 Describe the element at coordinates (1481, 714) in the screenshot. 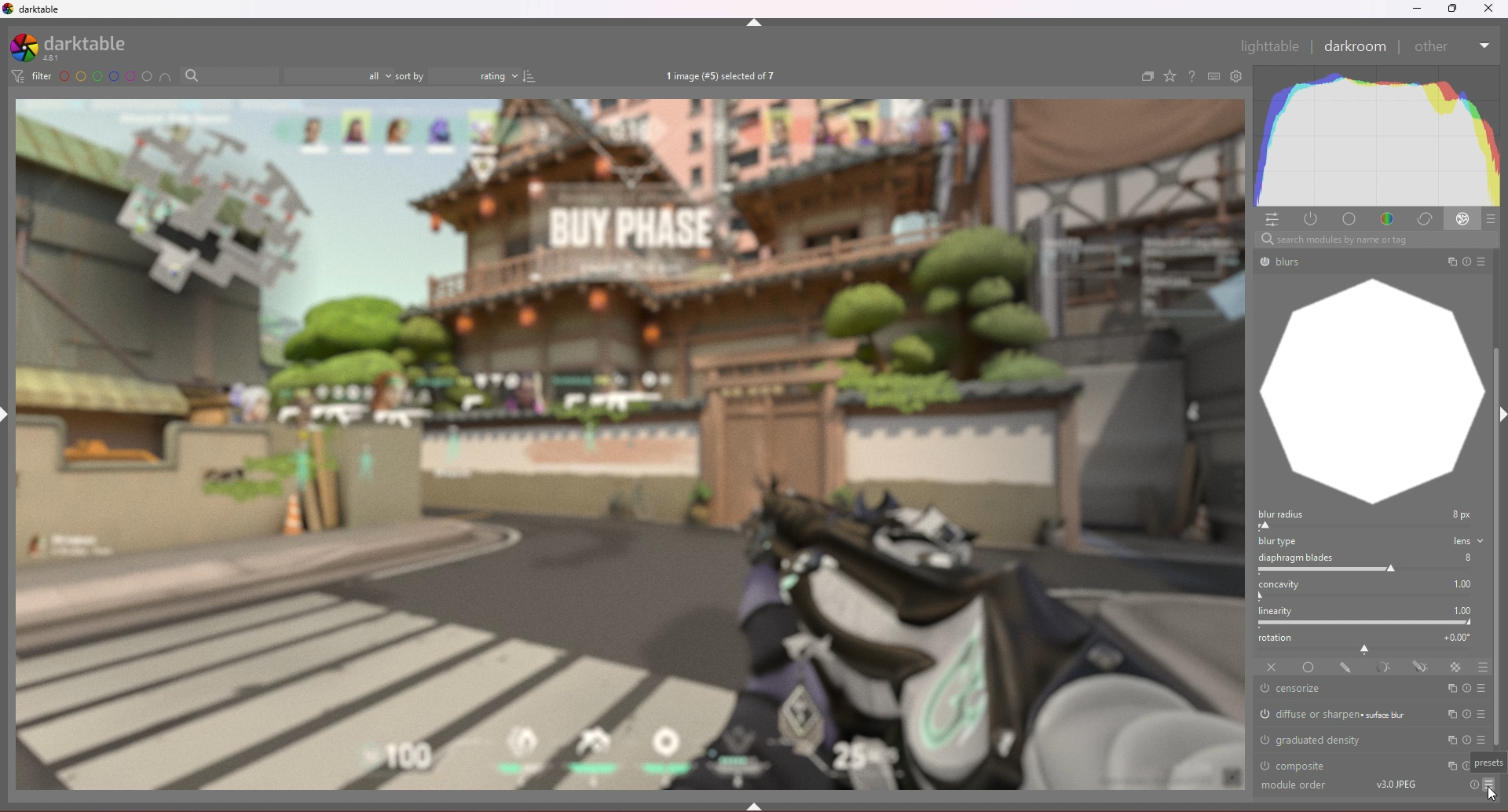

I see `presets` at that location.